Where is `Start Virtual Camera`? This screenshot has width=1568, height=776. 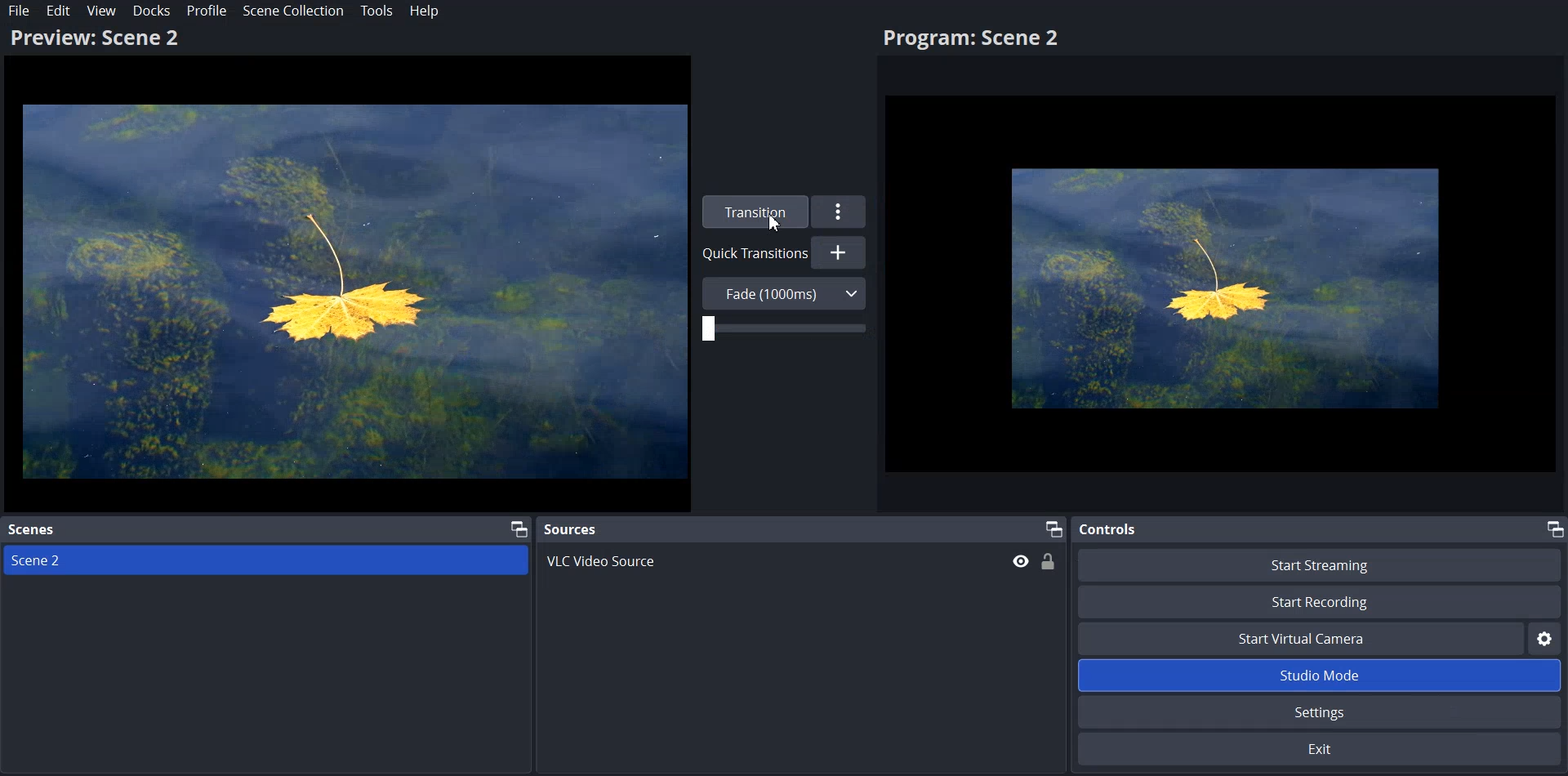 Start Virtual Camera is located at coordinates (1301, 639).